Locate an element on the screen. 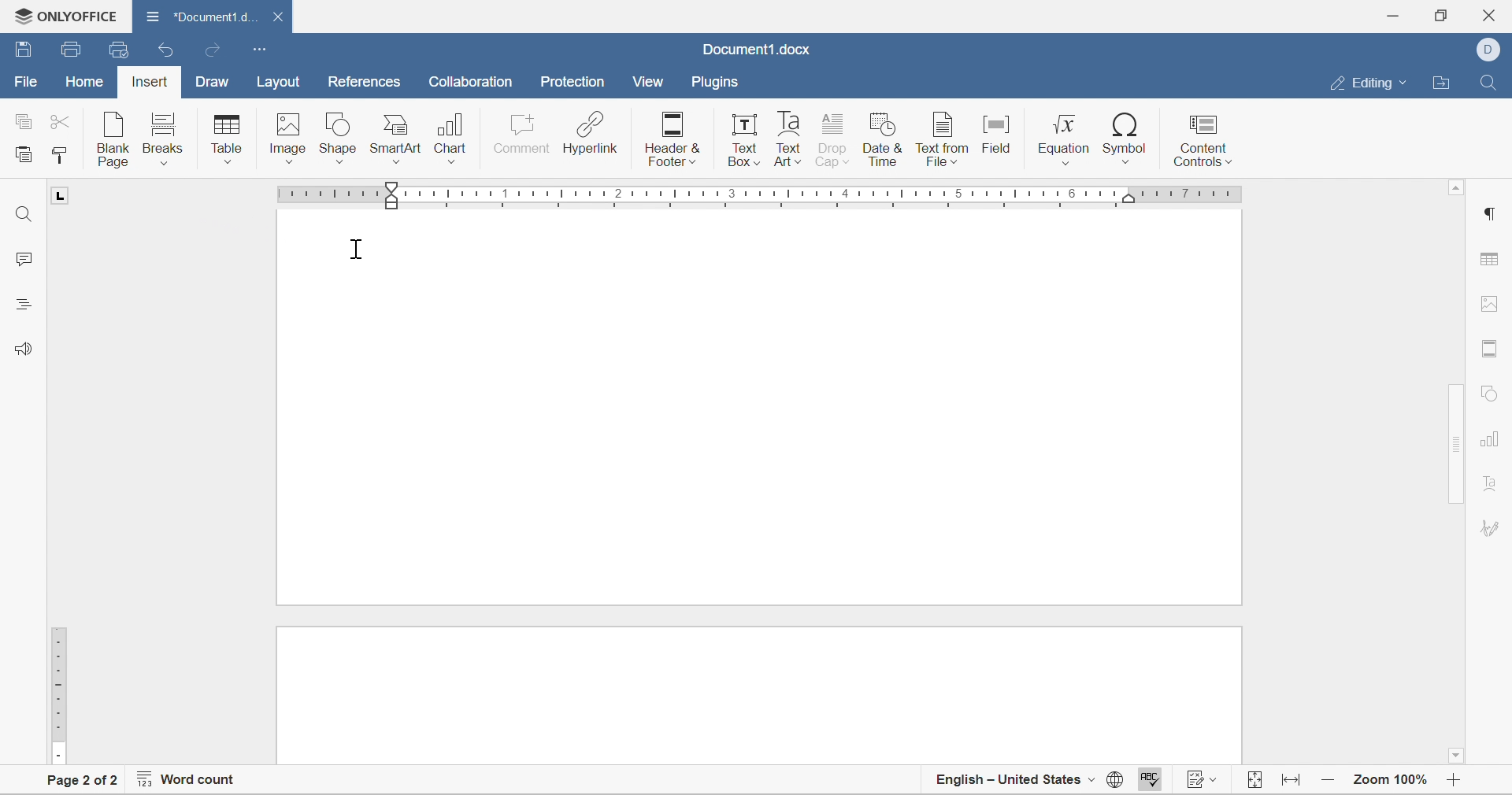 This screenshot has width=1512, height=795. Set document language is located at coordinates (1114, 782).